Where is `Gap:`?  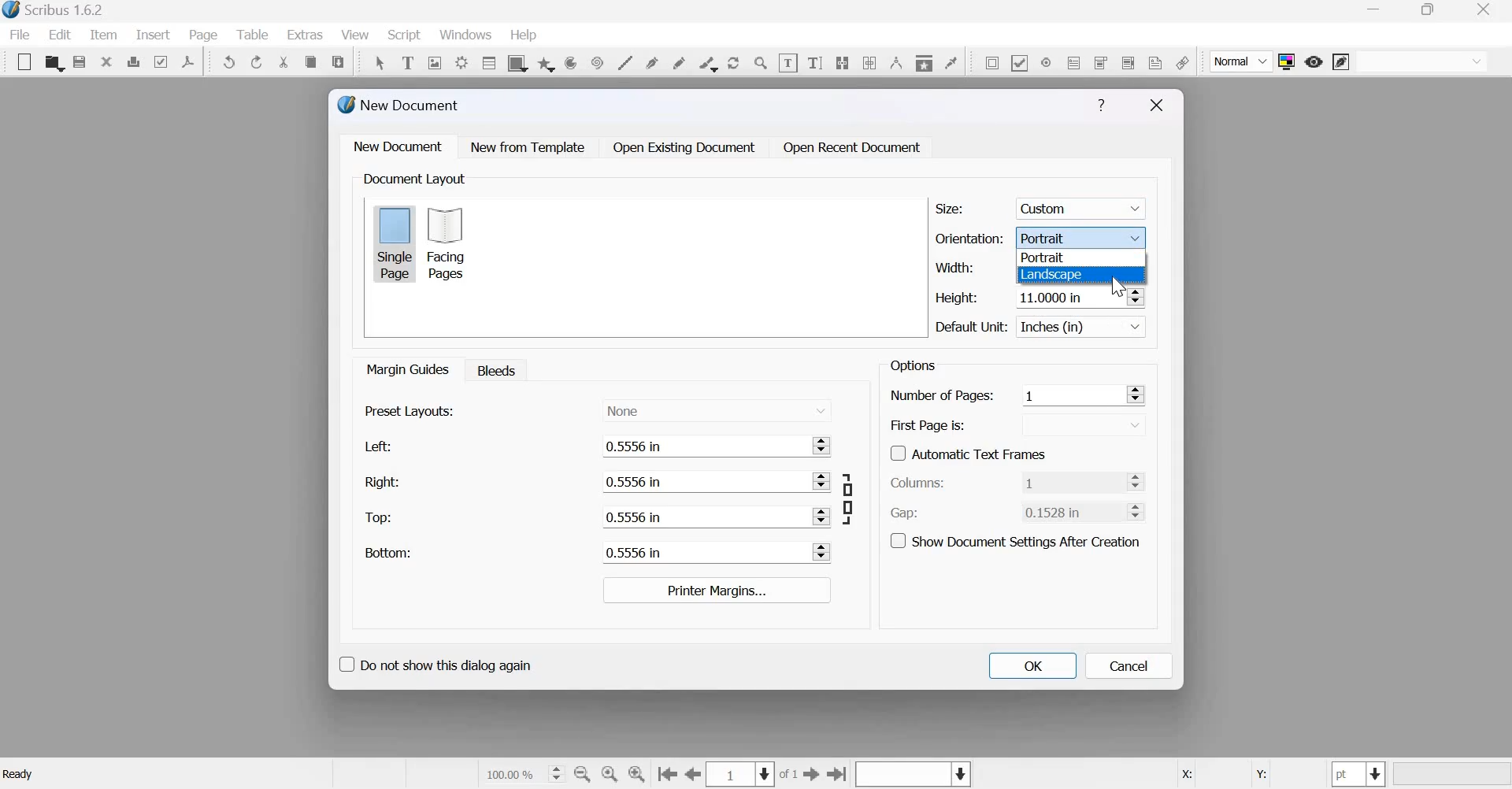 Gap: is located at coordinates (905, 513).